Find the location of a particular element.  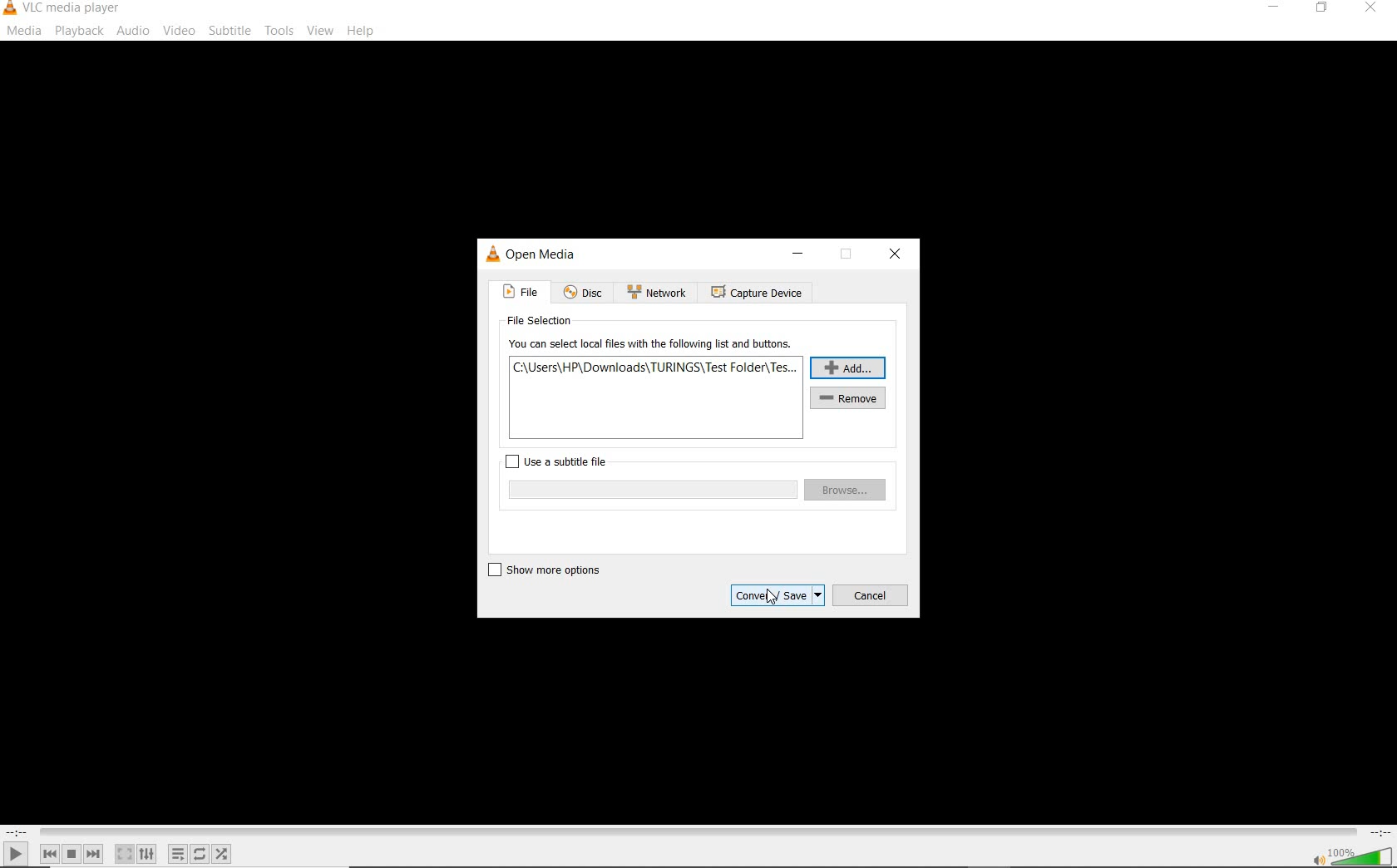

minimize is located at coordinates (798, 253).